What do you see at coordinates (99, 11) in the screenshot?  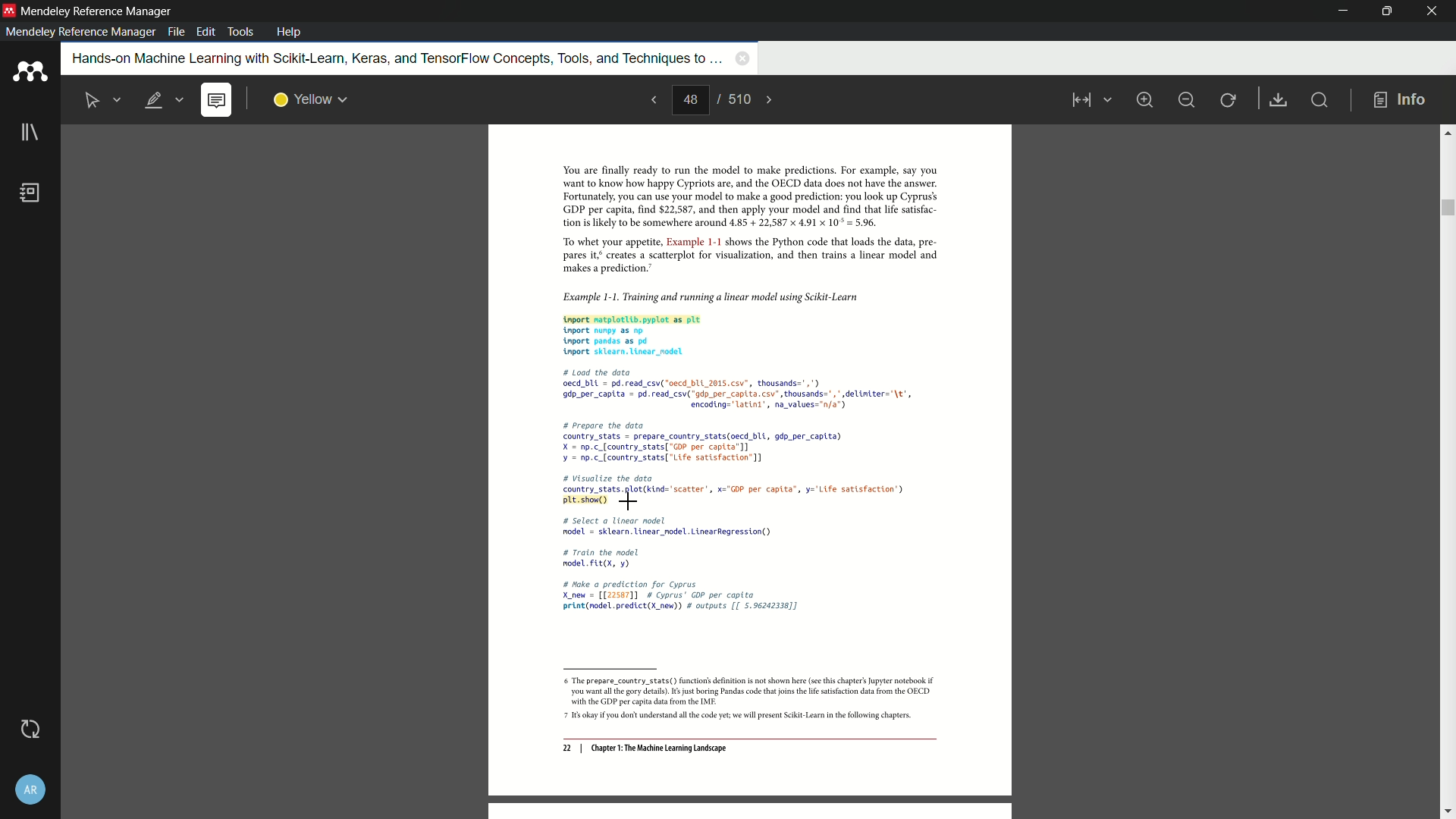 I see `app name` at bounding box center [99, 11].